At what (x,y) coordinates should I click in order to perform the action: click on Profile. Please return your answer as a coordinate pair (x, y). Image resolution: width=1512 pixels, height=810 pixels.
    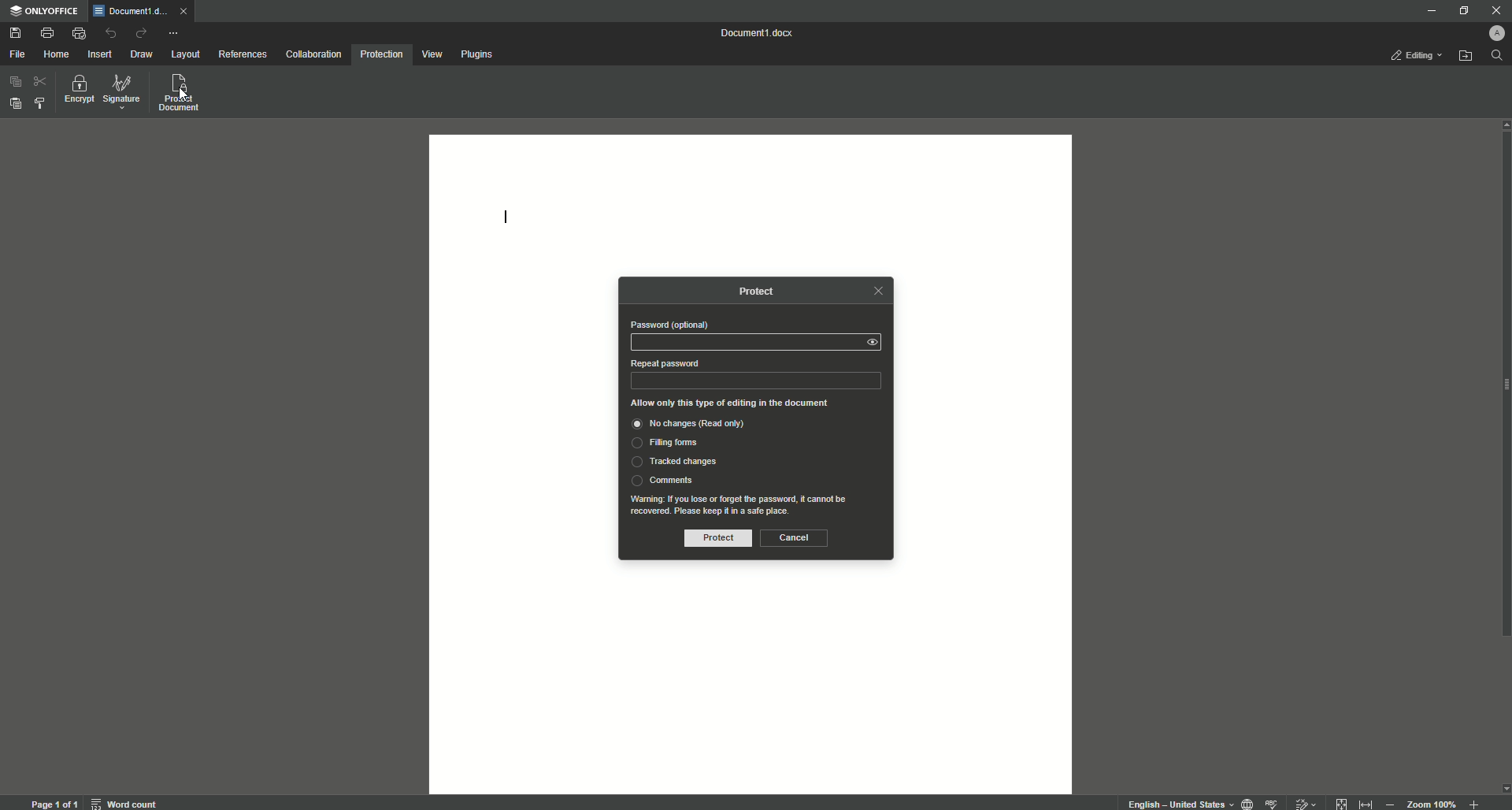
    Looking at the image, I should click on (1499, 31).